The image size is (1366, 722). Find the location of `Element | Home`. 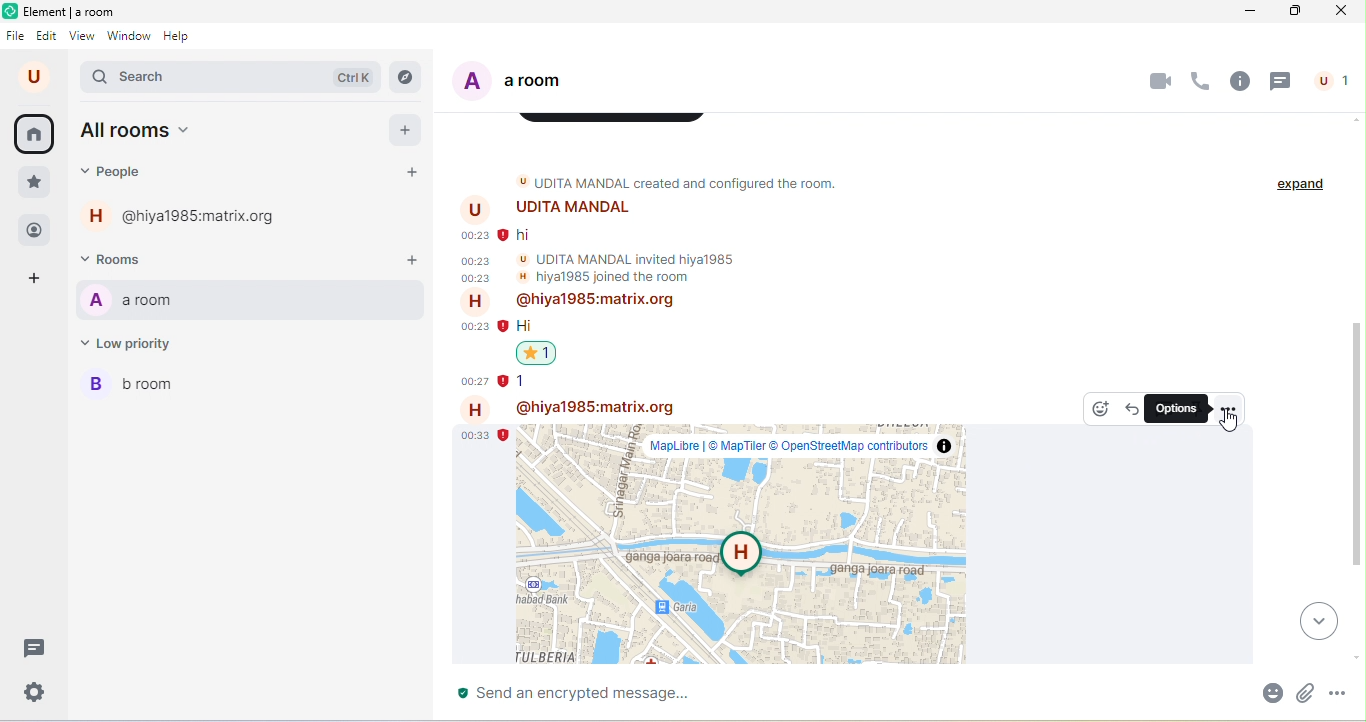

Element | Home is located at coordinates (72, 11).